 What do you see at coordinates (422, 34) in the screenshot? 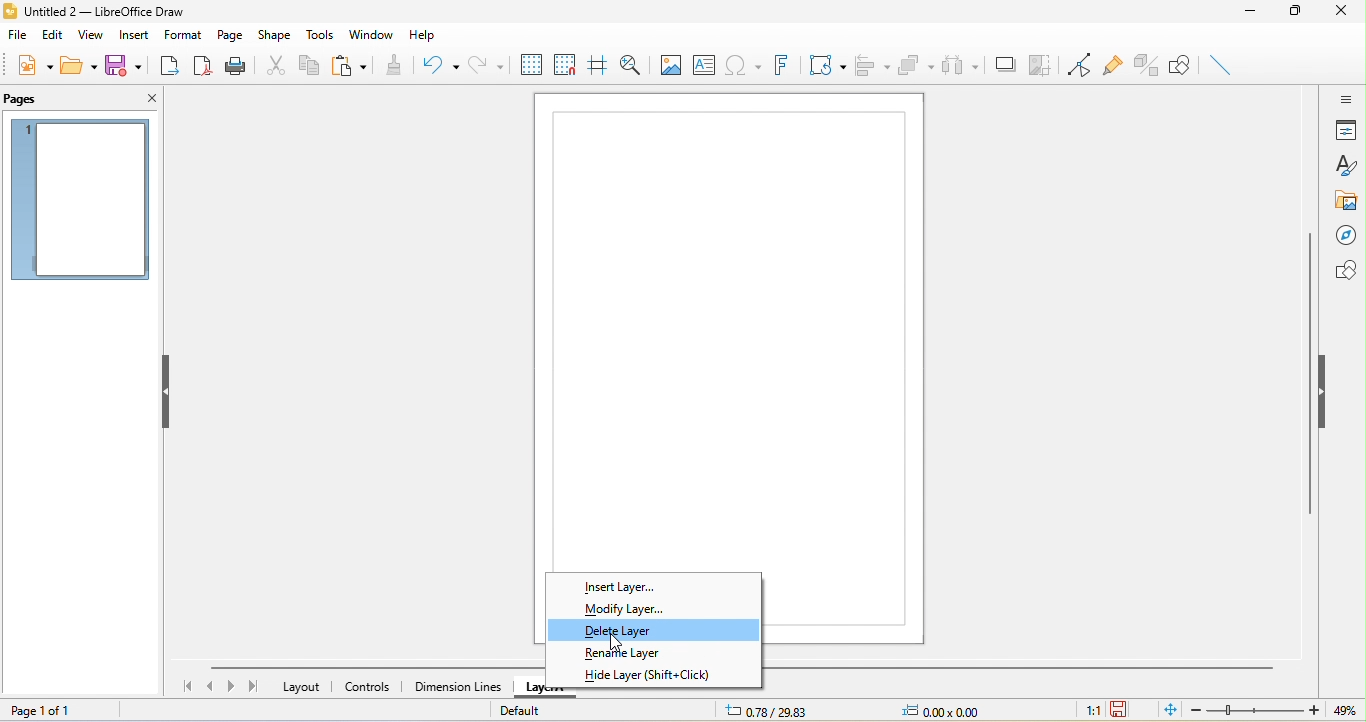
I see `help` at bounding box center [422, 34].